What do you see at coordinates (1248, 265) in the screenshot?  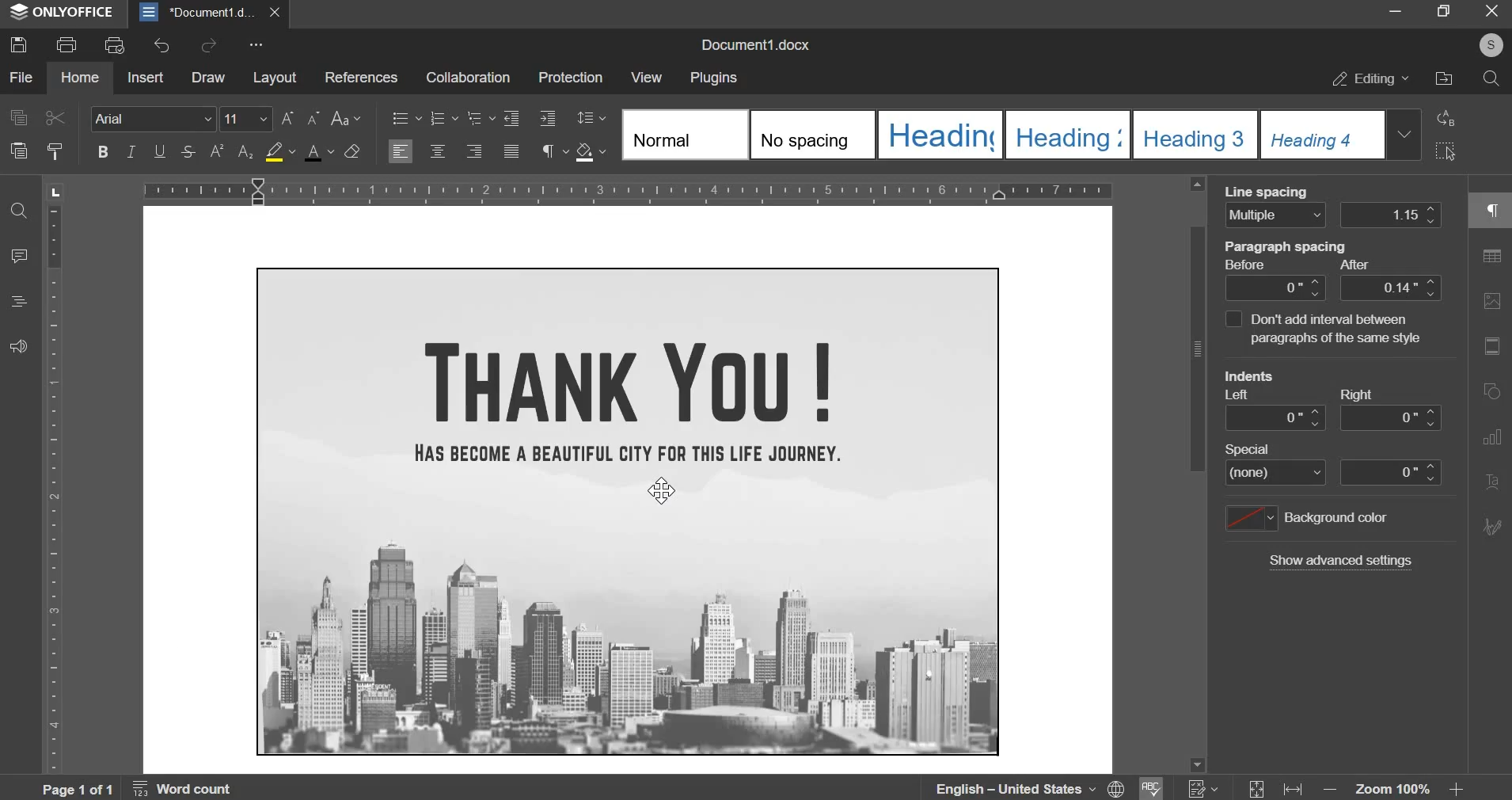 I see `Before` at bounding box center [1248, 265].